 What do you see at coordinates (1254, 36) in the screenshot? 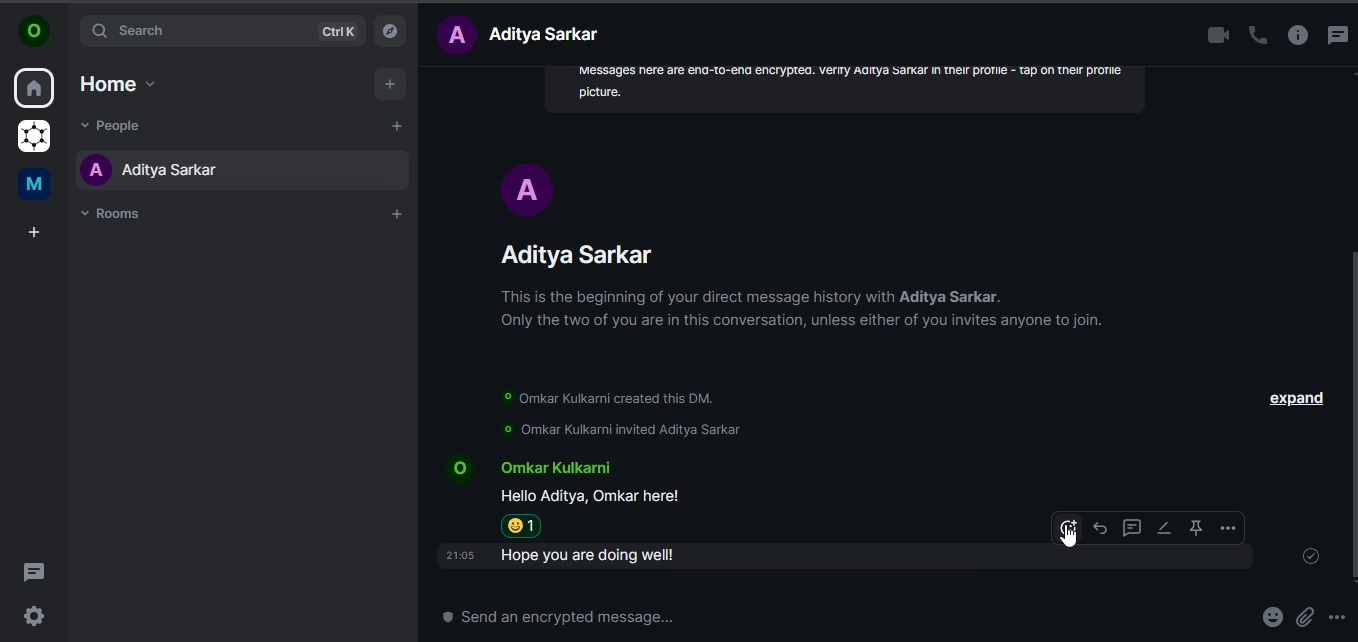
I see `voice call` at bounding box center [1254, 36].